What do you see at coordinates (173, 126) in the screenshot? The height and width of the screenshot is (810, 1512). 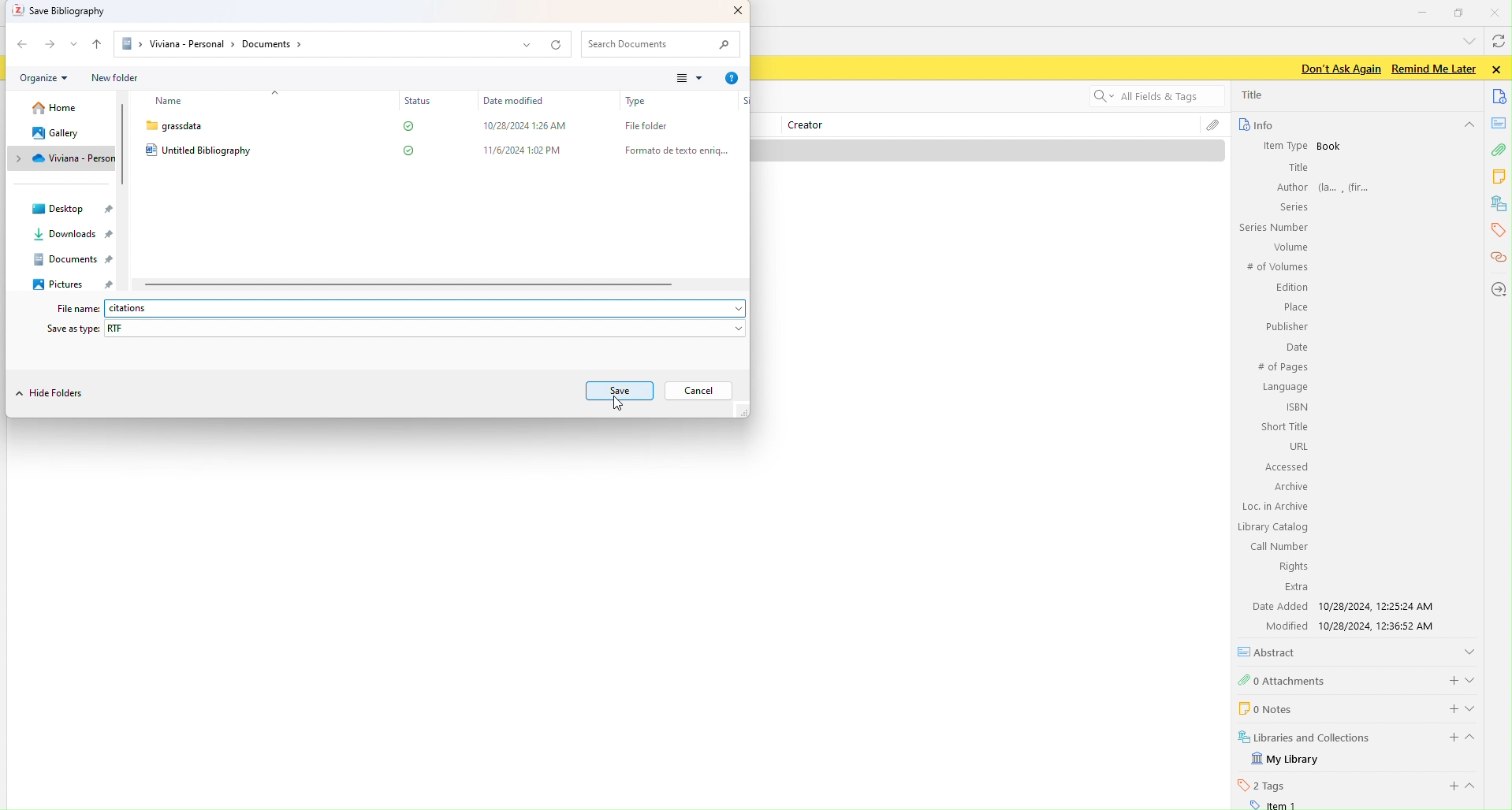 I see `grassdata` at bounding box center [173, 126].